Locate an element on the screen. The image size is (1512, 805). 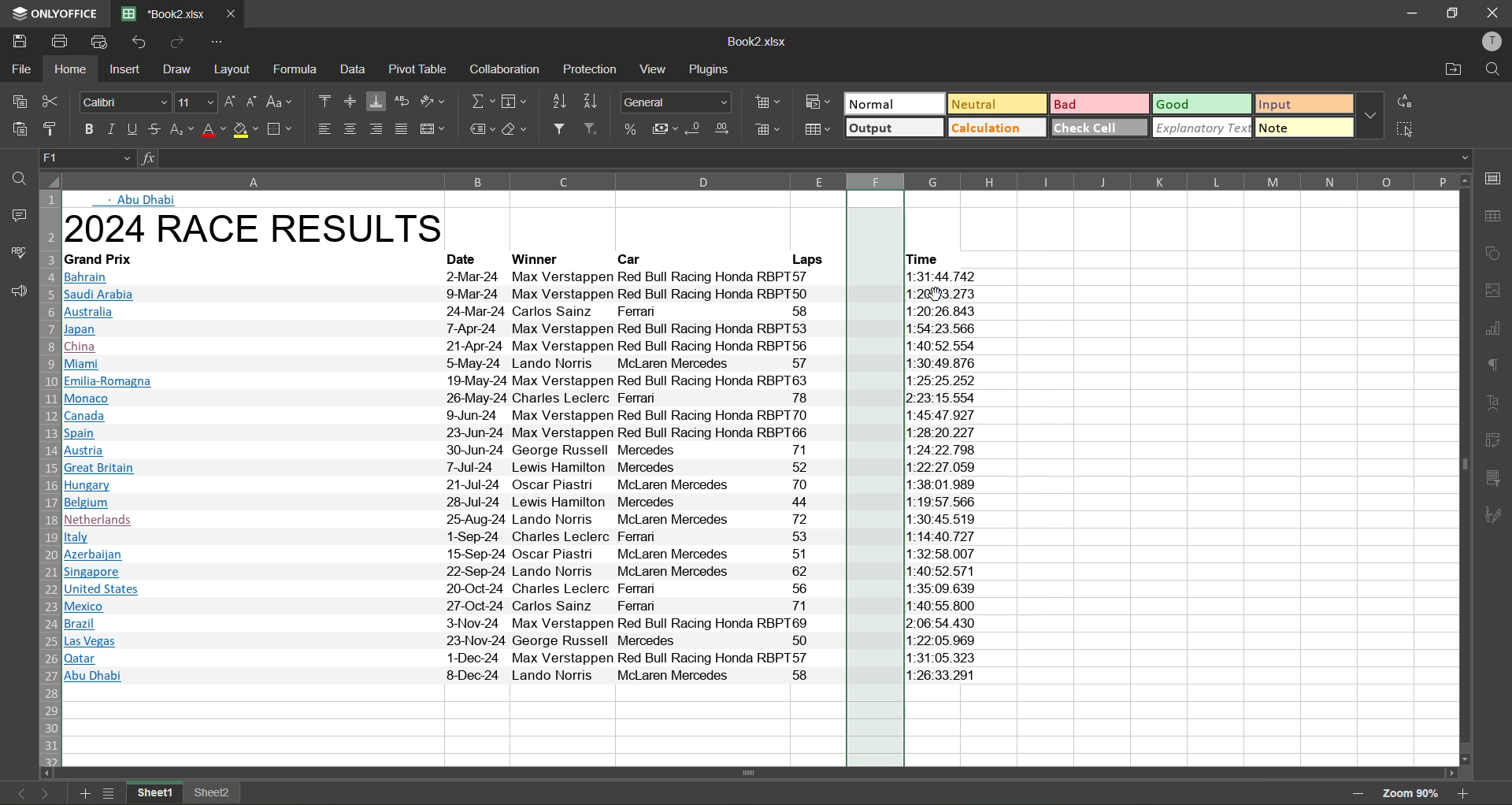
insert is located at coordinates (122, 70).